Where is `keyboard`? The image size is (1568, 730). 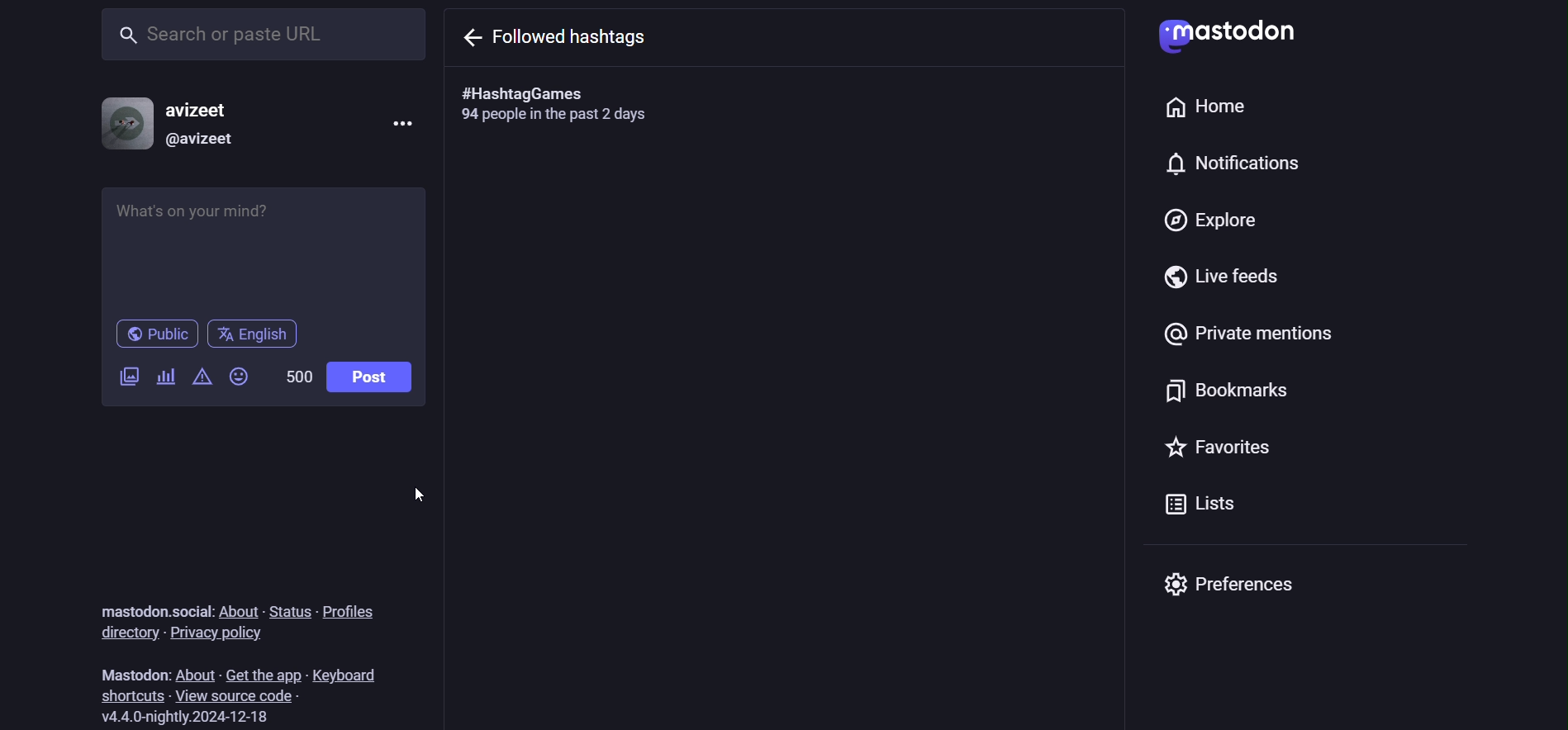
keyboard is located at coordinates (354, 675).